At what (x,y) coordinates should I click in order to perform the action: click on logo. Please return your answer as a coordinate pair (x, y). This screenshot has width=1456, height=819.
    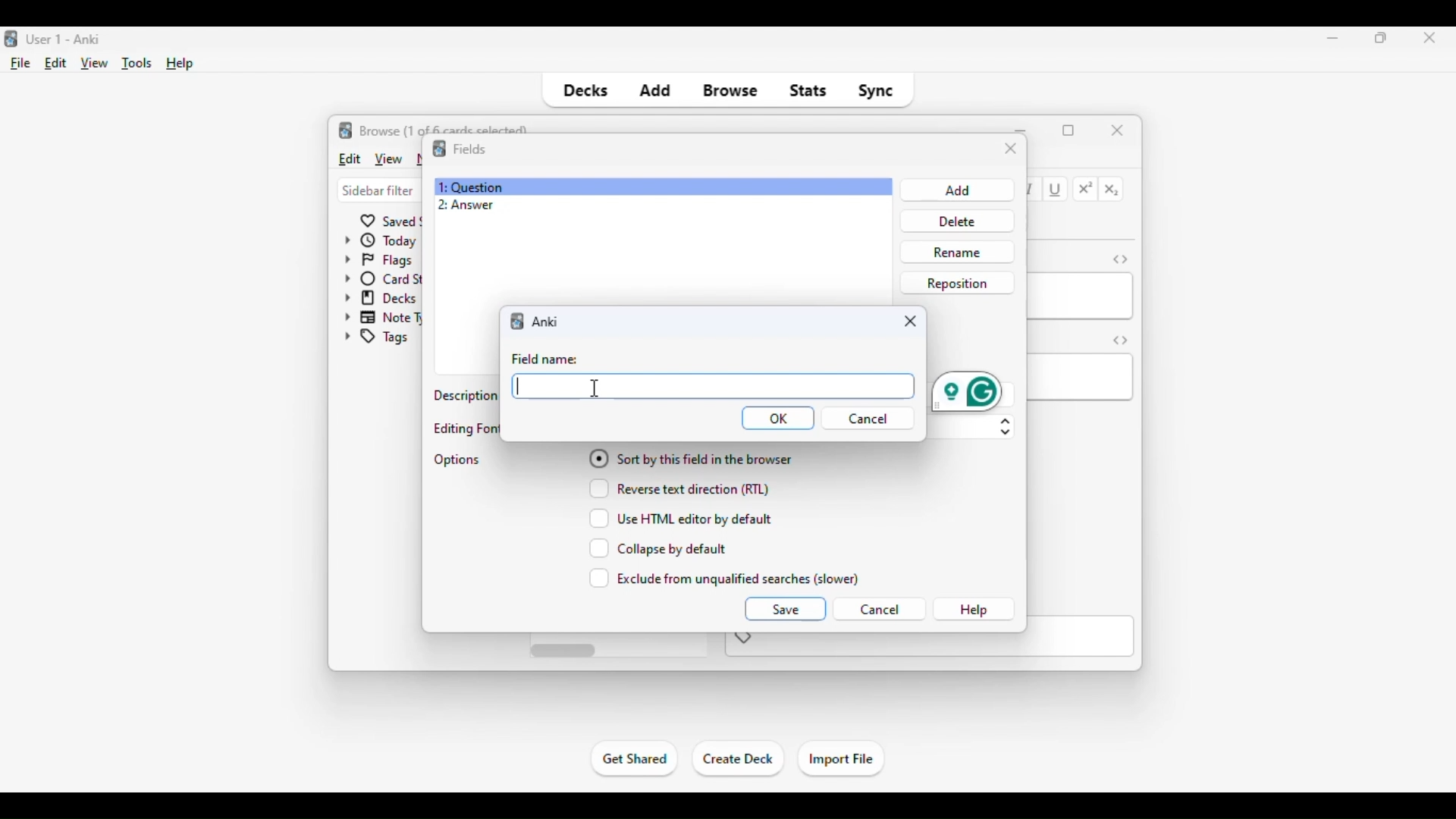
    Looking at the image, I should click on (9, 39).